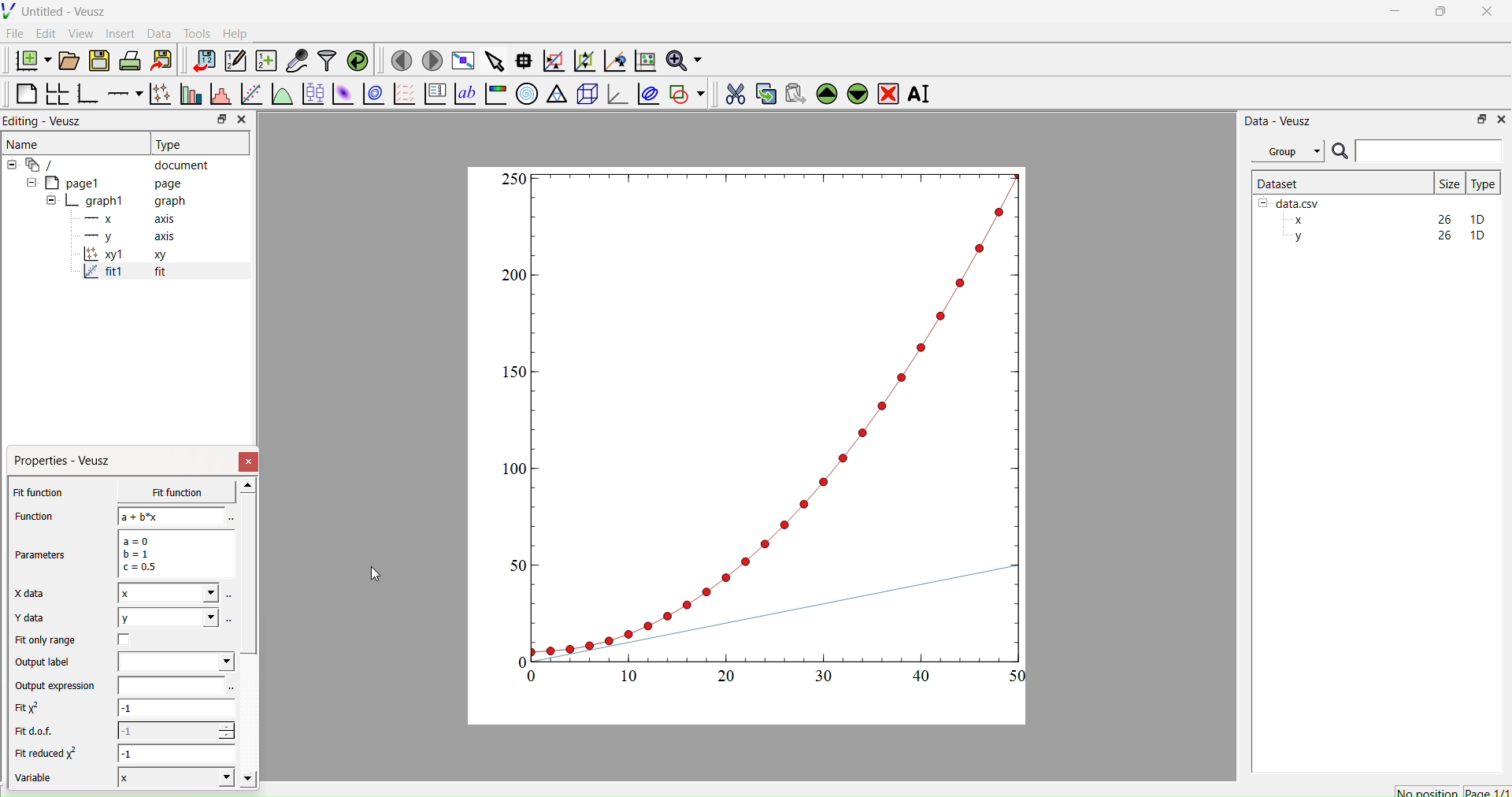  Describe the element at coordinates (326, 60) in the screenshot. I see `Filter data` at that location.